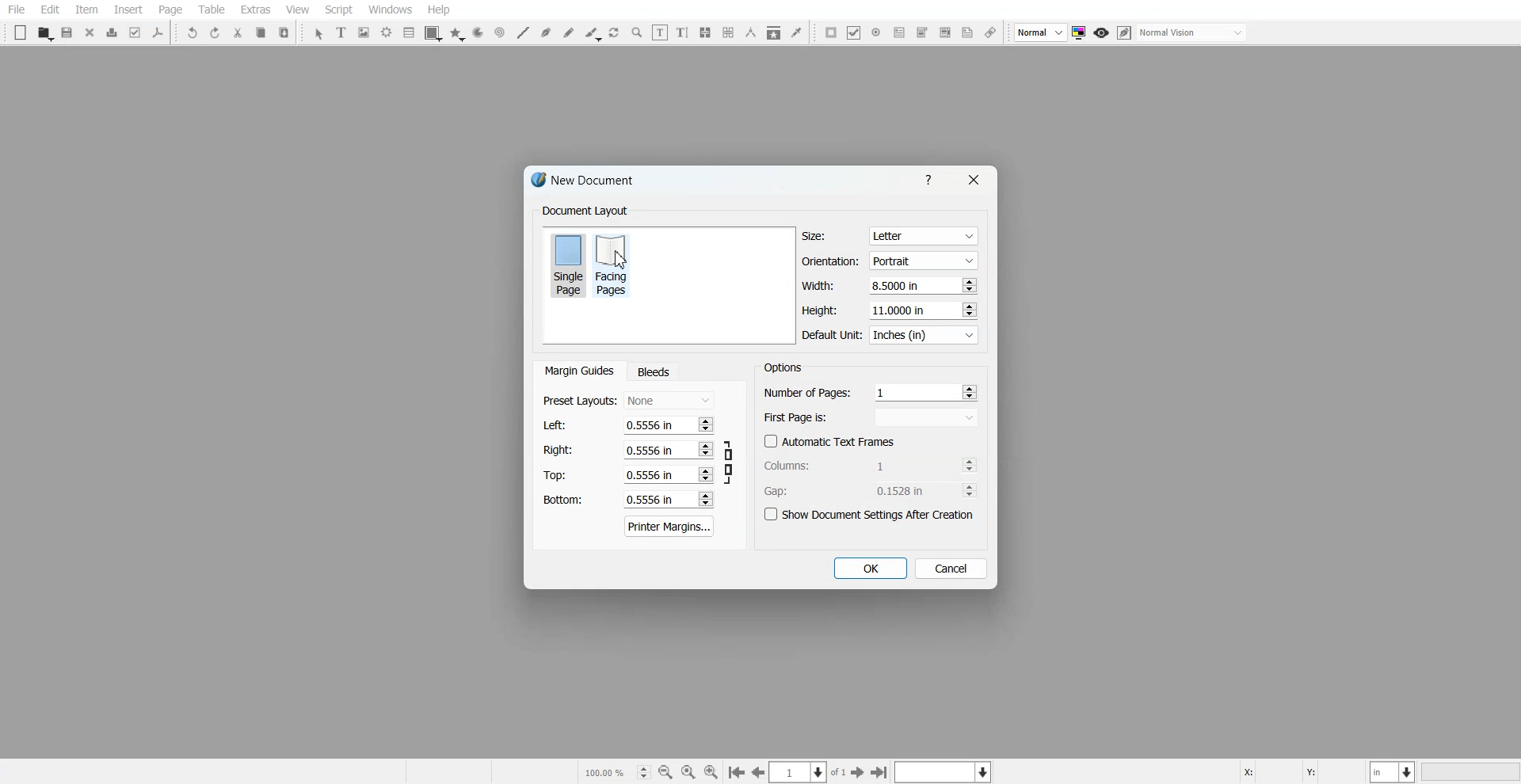  Describe the element at coordinates (628, 424) in the screenshot. I see `Left margin adjuster` at that location.